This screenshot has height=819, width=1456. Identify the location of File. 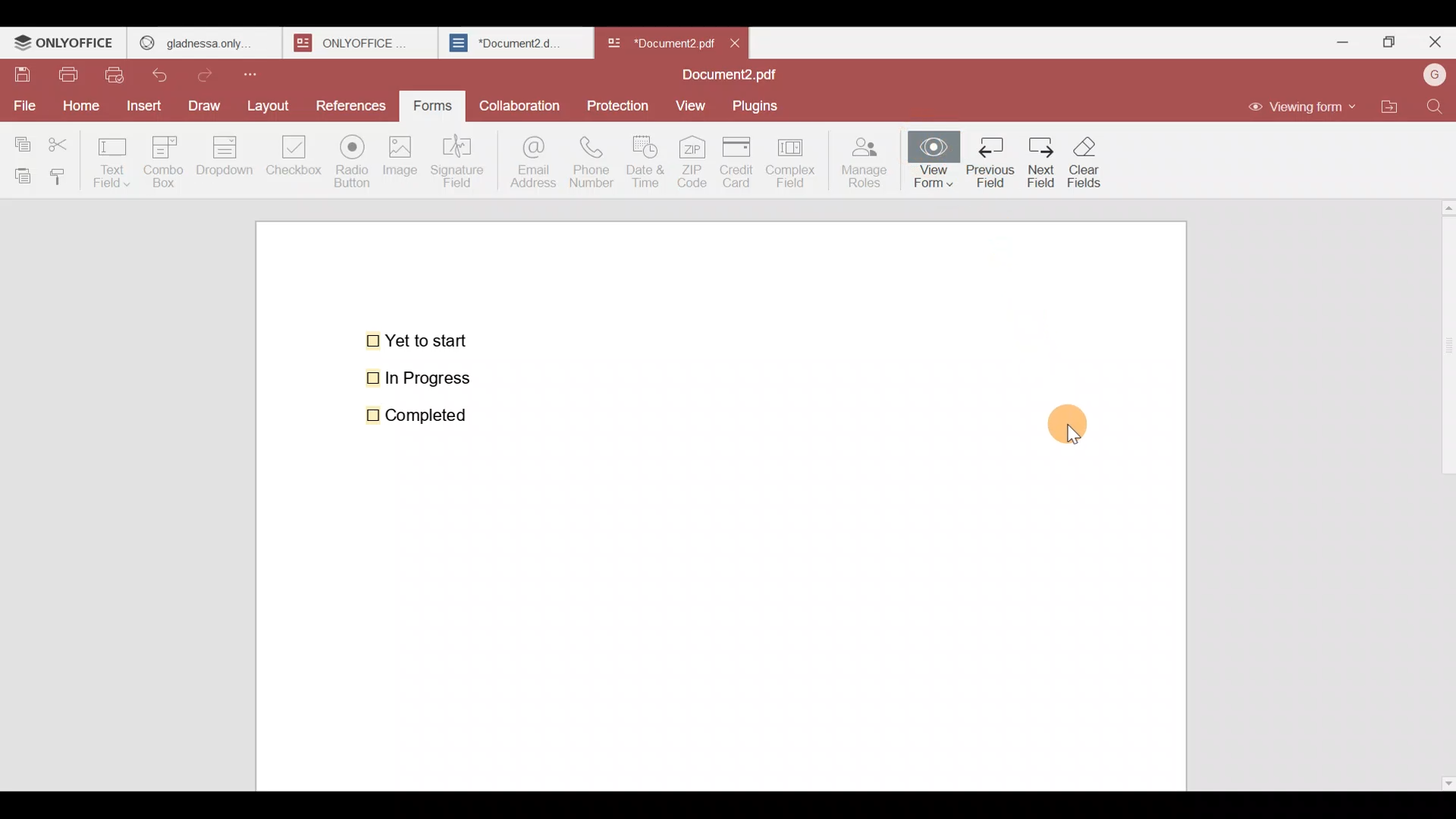
(24, 104).